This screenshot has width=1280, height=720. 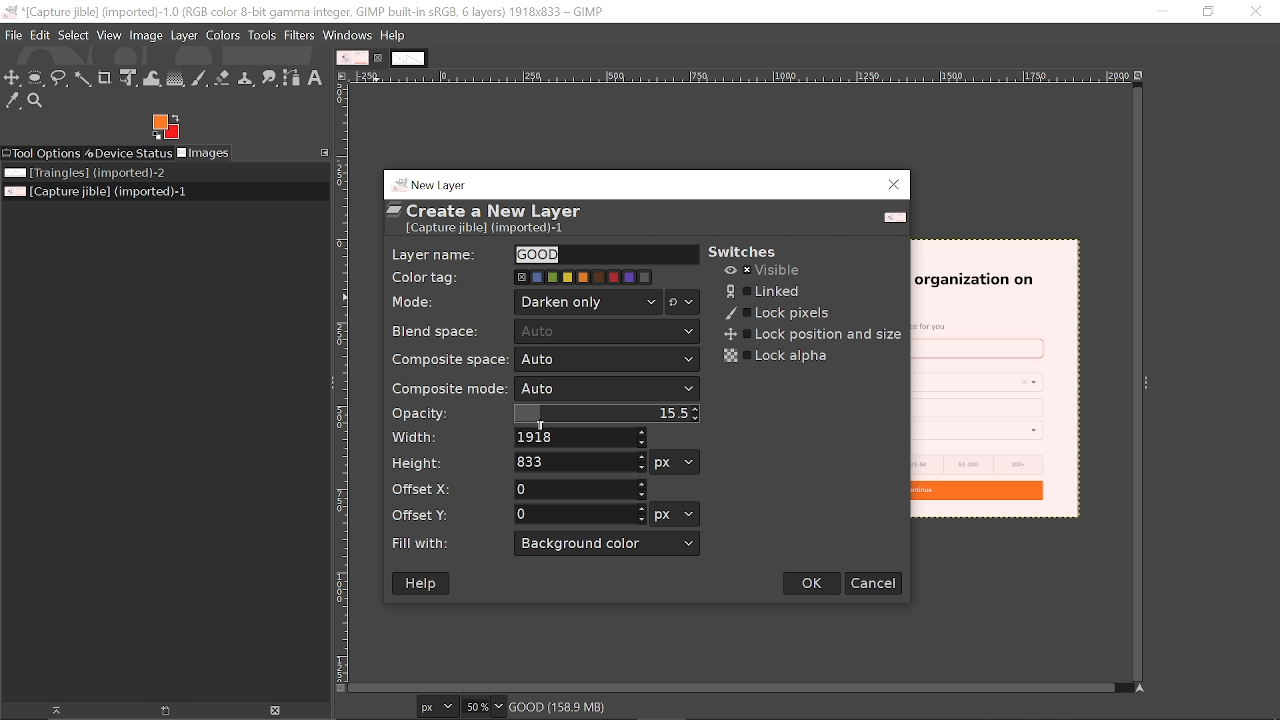 What do you see at coordinates (94, 192) in the screenshot?
I see `Current image file` at bounding box center [94, 192].